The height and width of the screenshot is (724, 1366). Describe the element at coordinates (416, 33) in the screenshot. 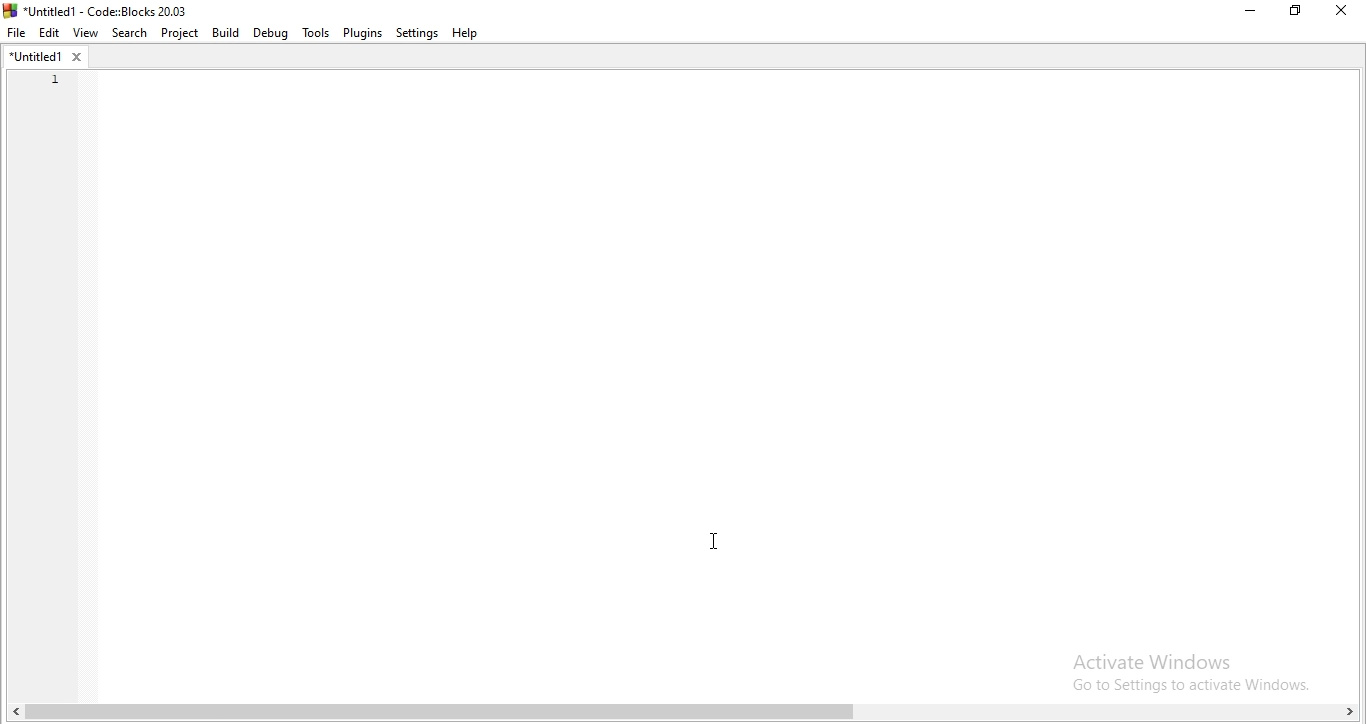

I see `Settings ` at that location.